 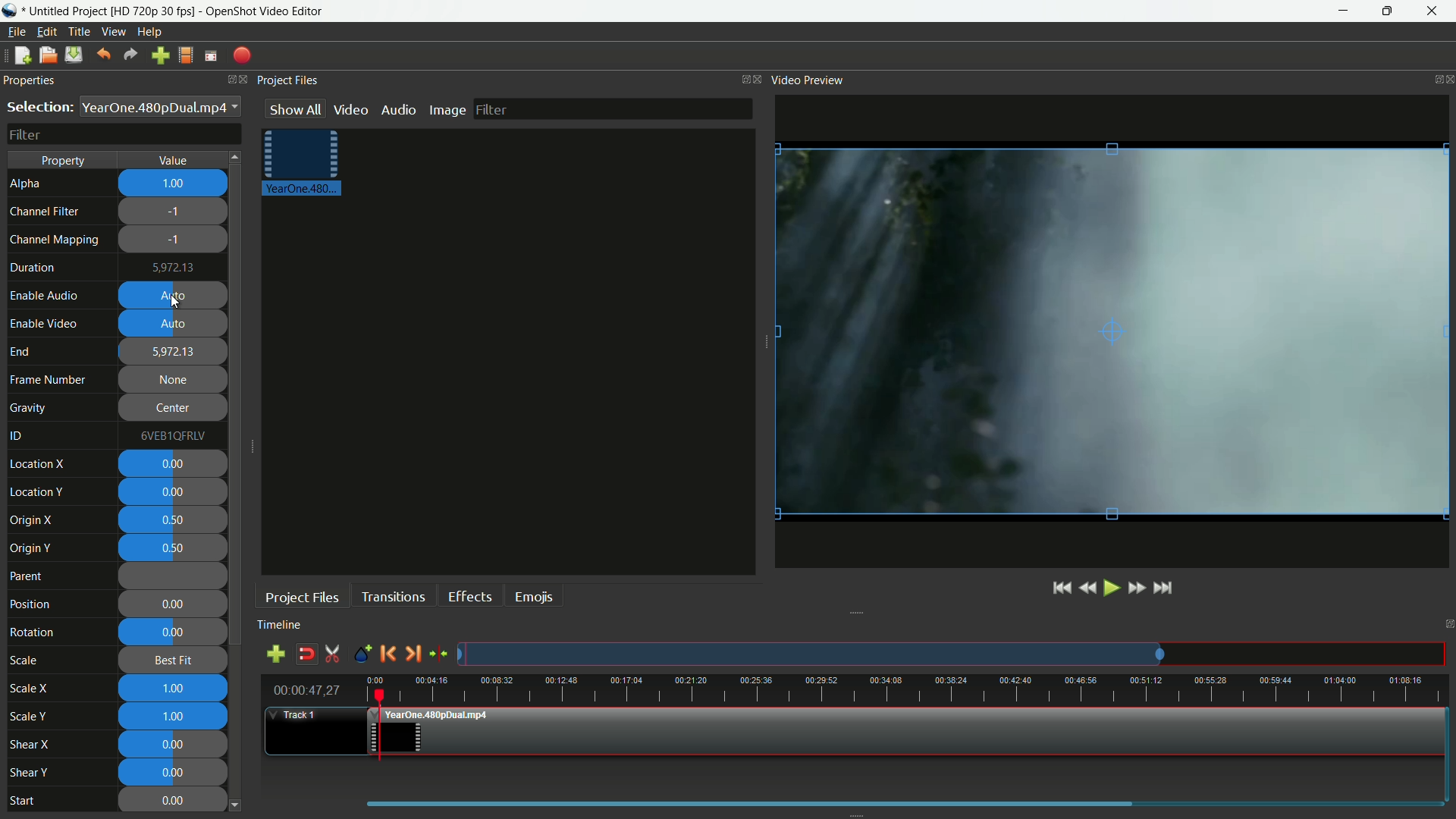 What do you see at coordinates (175, 302) in the screenshot?
I see `cursor` at bounding box center [175, 302].